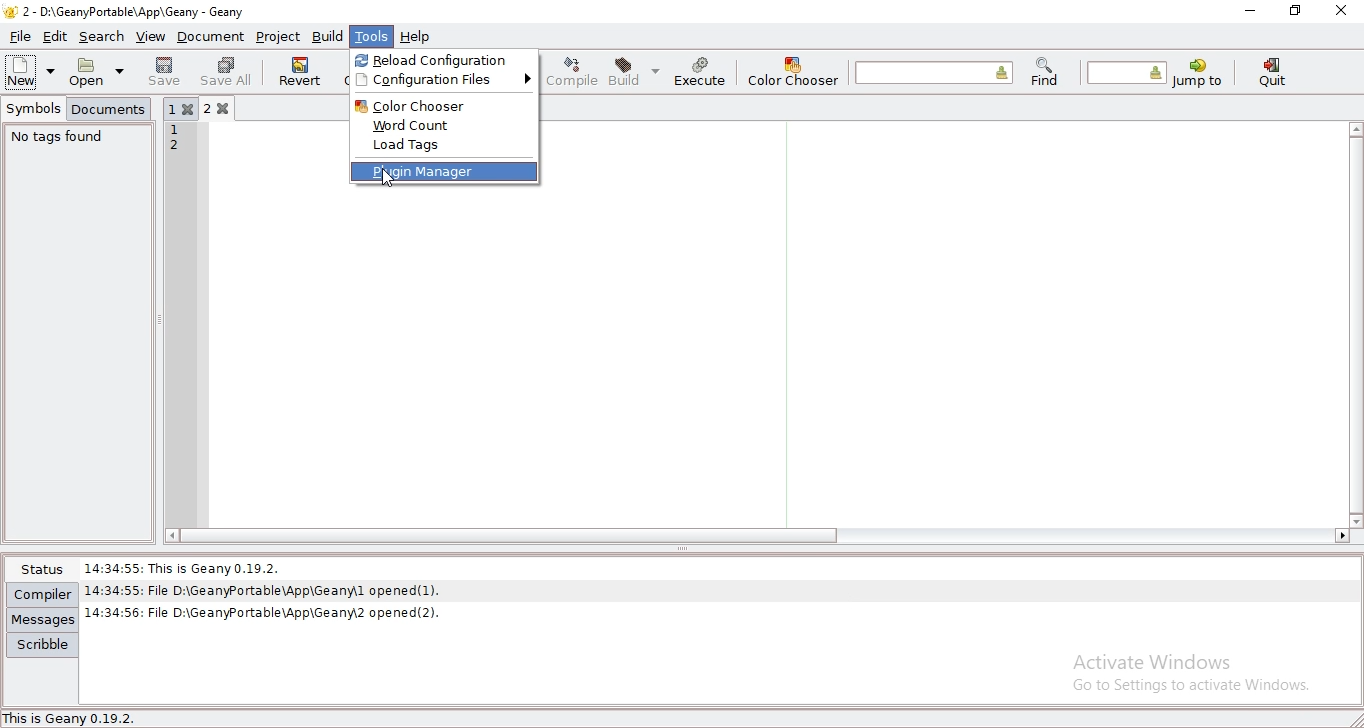 This screenshot has width=1364, height=728. I want to click on reload configuration, so click(442, 60).